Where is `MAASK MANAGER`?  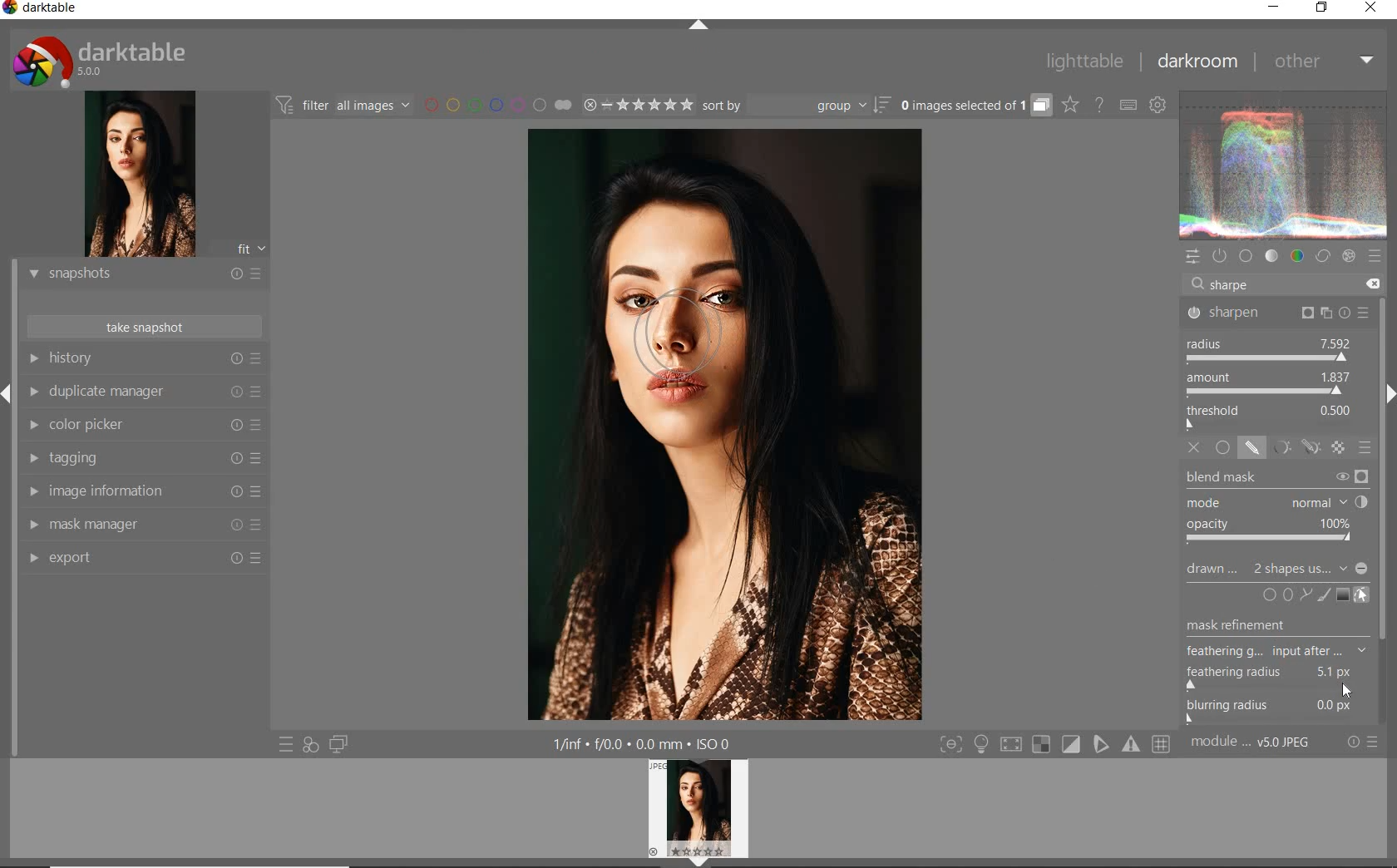 MAASK MANAGER is located at coordinates (143, 525).